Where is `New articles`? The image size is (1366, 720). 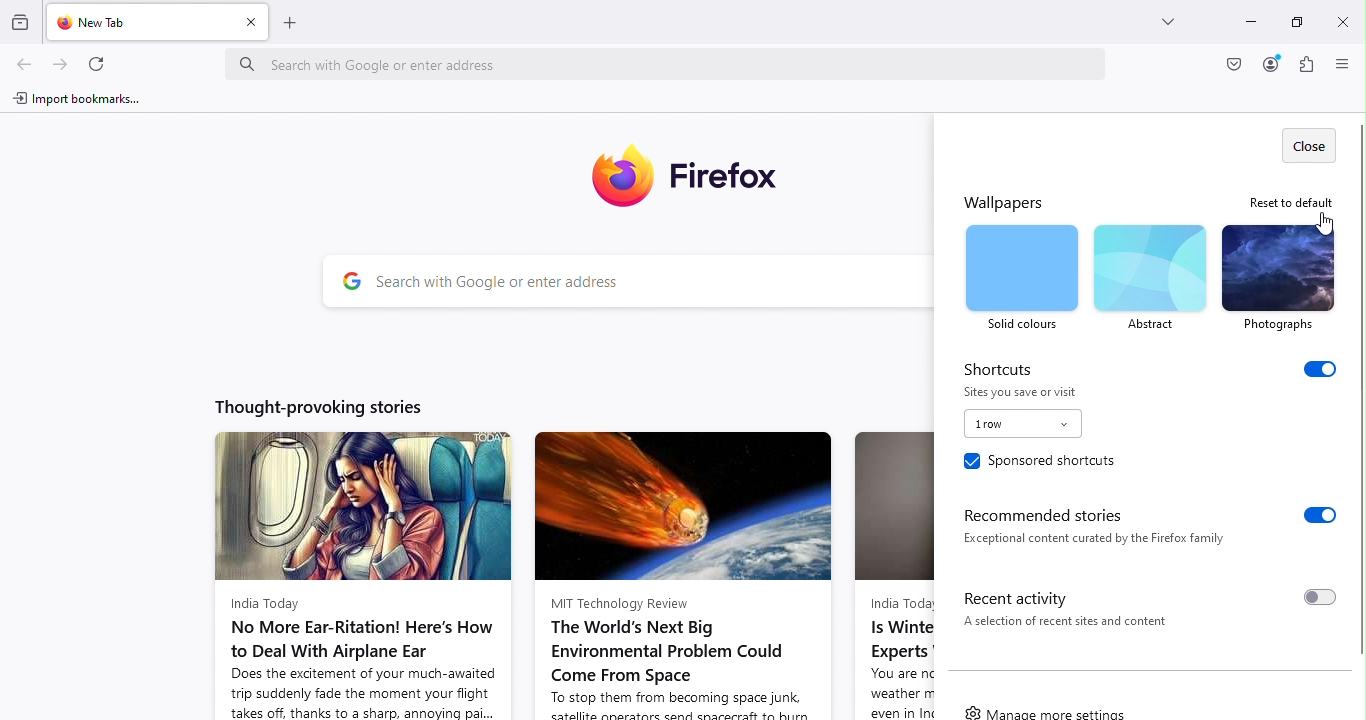 New articles is located at coordinates (891, 564).